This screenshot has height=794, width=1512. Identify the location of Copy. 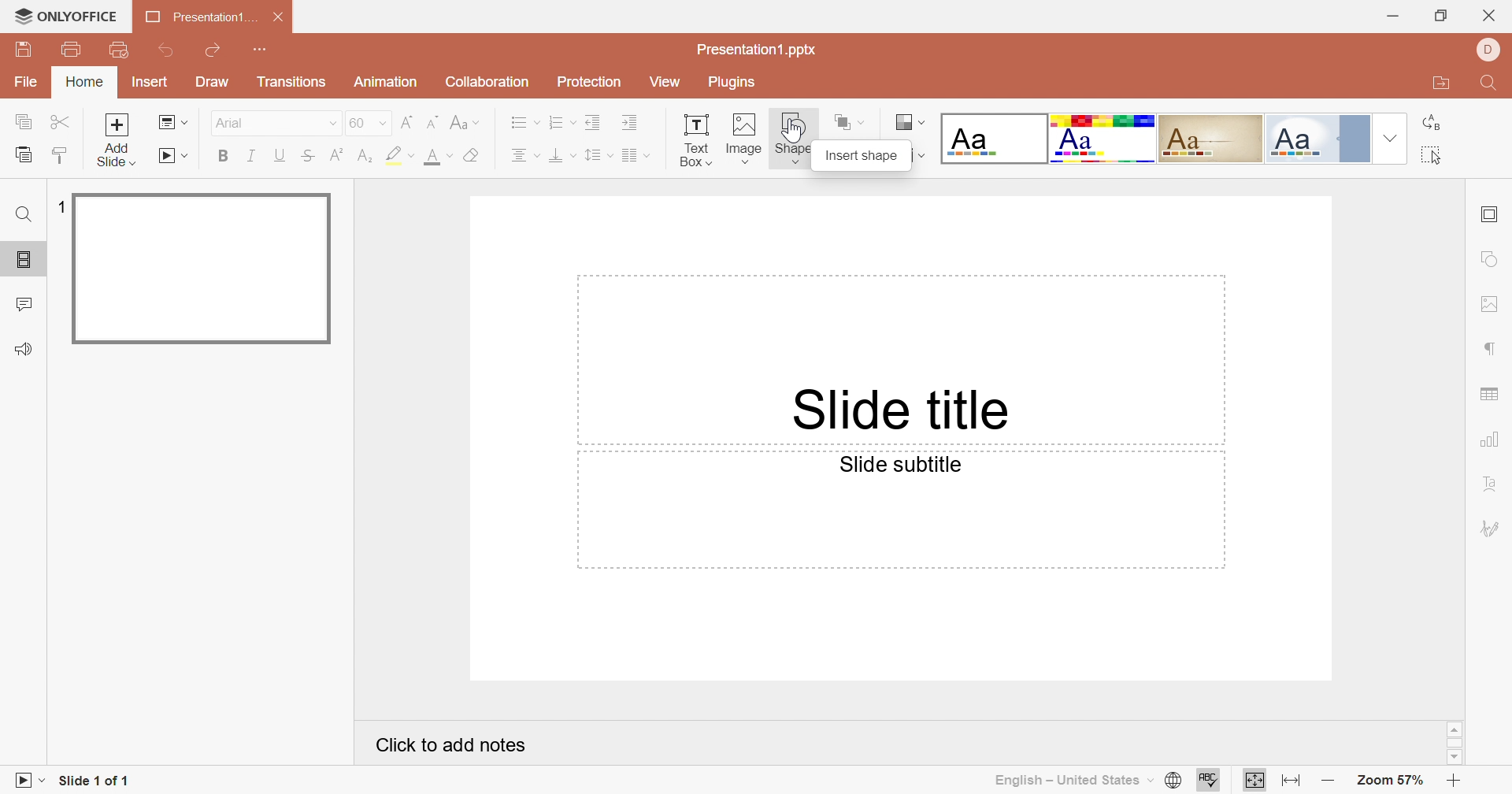
(22, 121).